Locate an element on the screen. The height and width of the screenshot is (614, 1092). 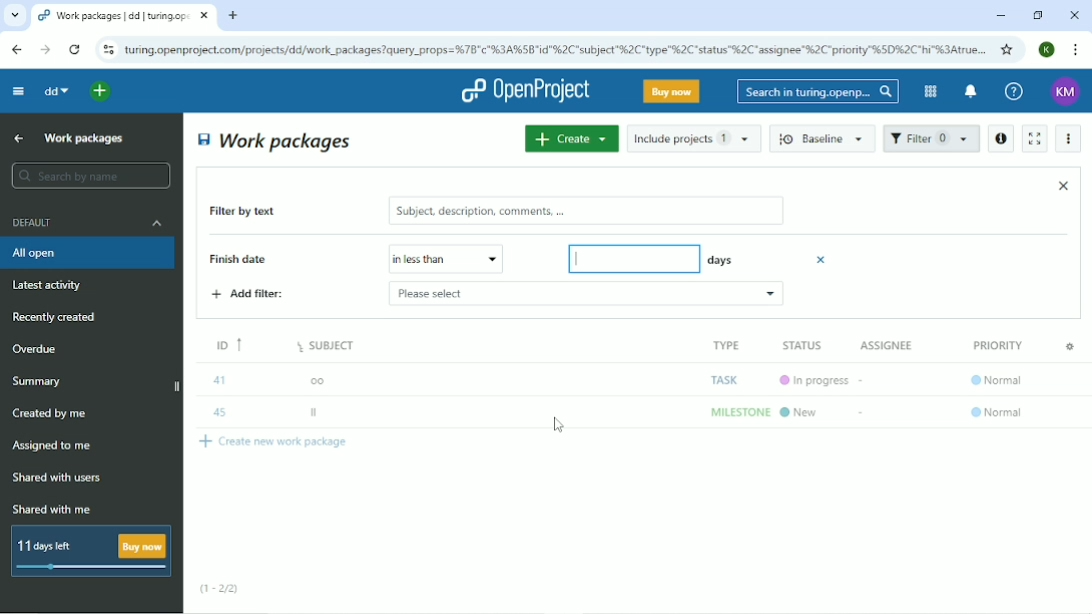
close side bar is located at coordinates (175, 388).